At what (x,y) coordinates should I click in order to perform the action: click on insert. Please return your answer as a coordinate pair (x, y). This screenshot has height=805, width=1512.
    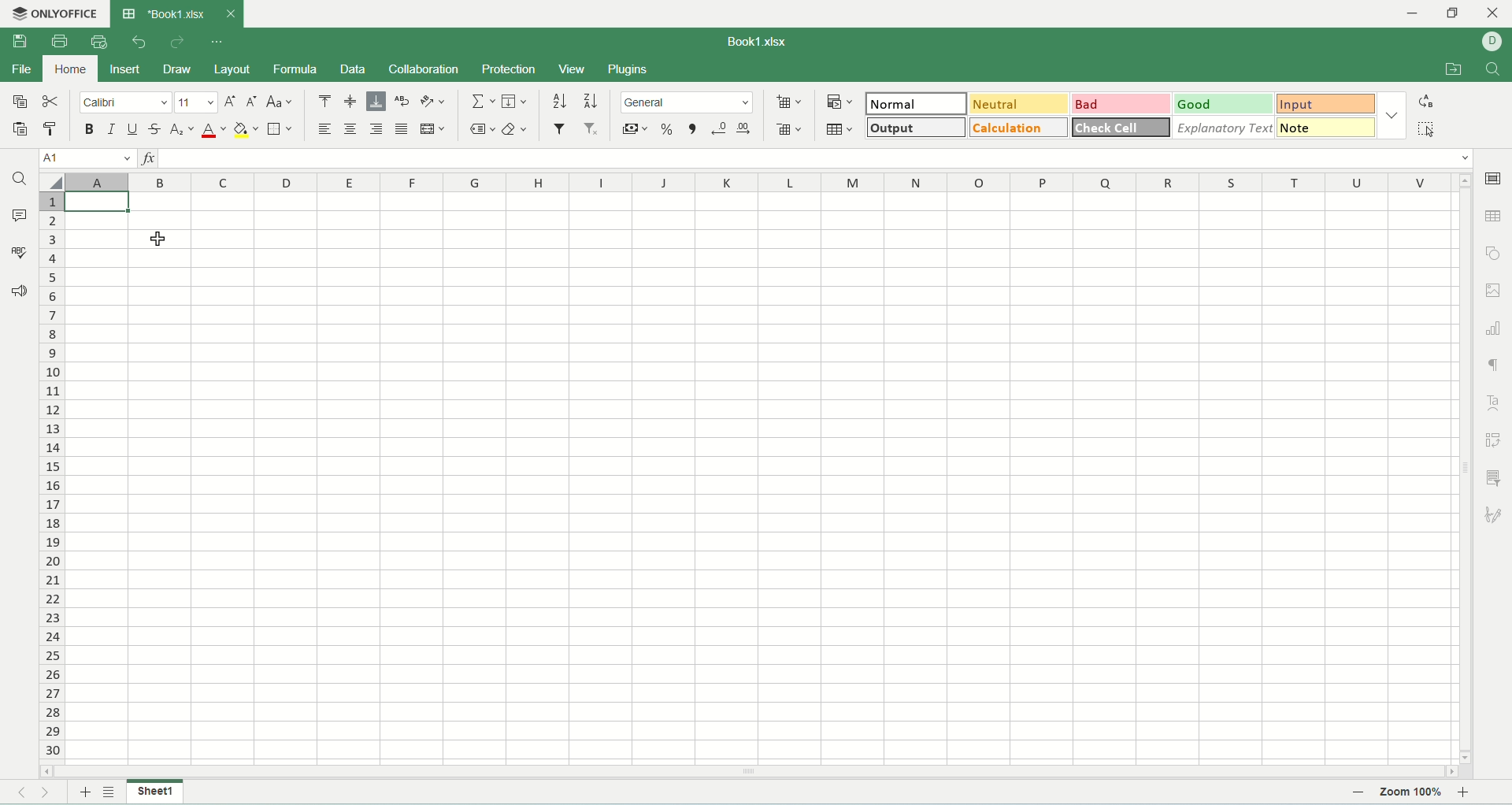
    Looking at the image, I should click on (125, 71).